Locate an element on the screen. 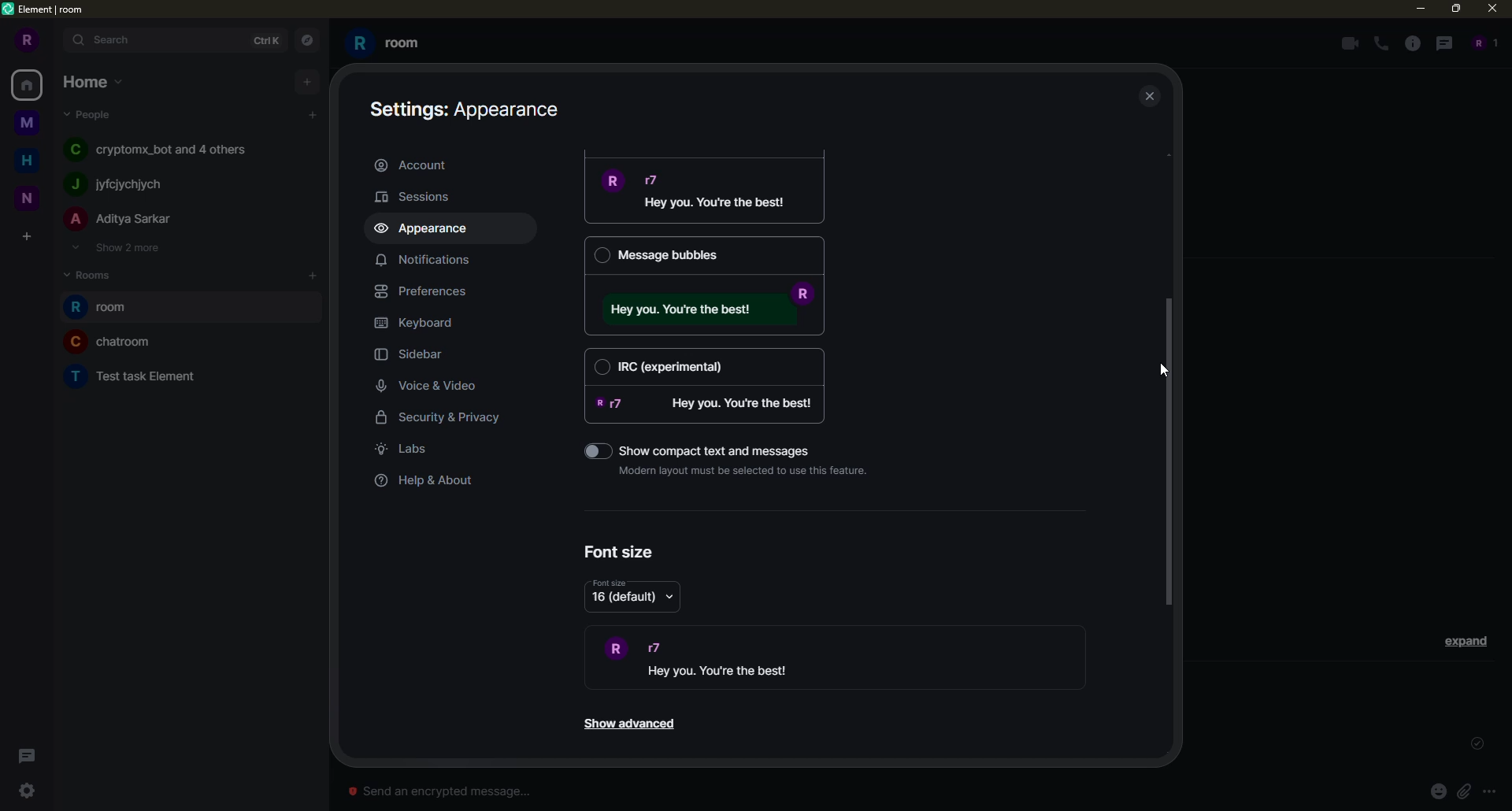 This screenshot has height=811, width=1512. info is located at coordinates (1413, 43).